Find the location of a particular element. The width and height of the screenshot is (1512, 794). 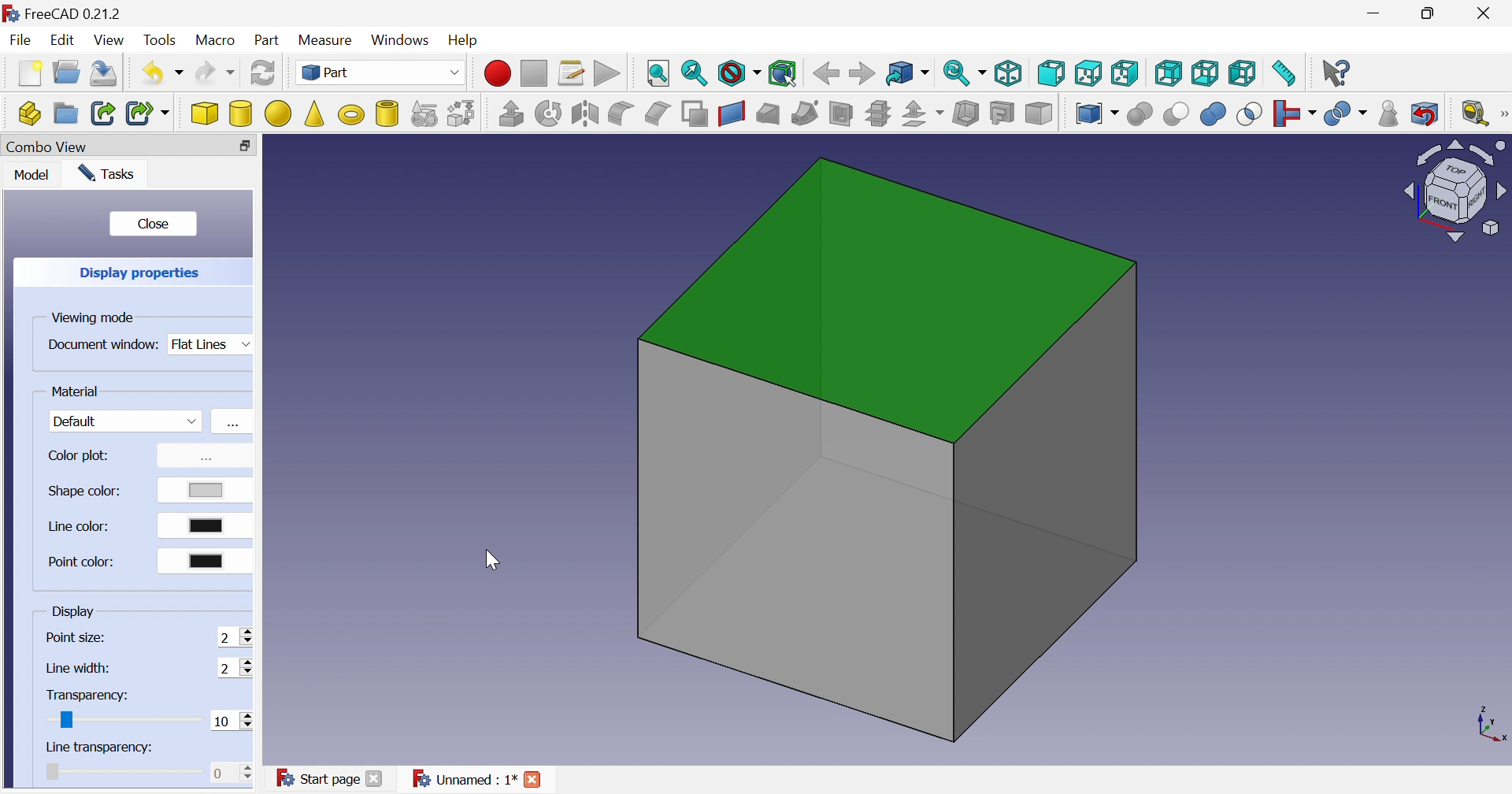

Create part is located at coordinates (27, 114).